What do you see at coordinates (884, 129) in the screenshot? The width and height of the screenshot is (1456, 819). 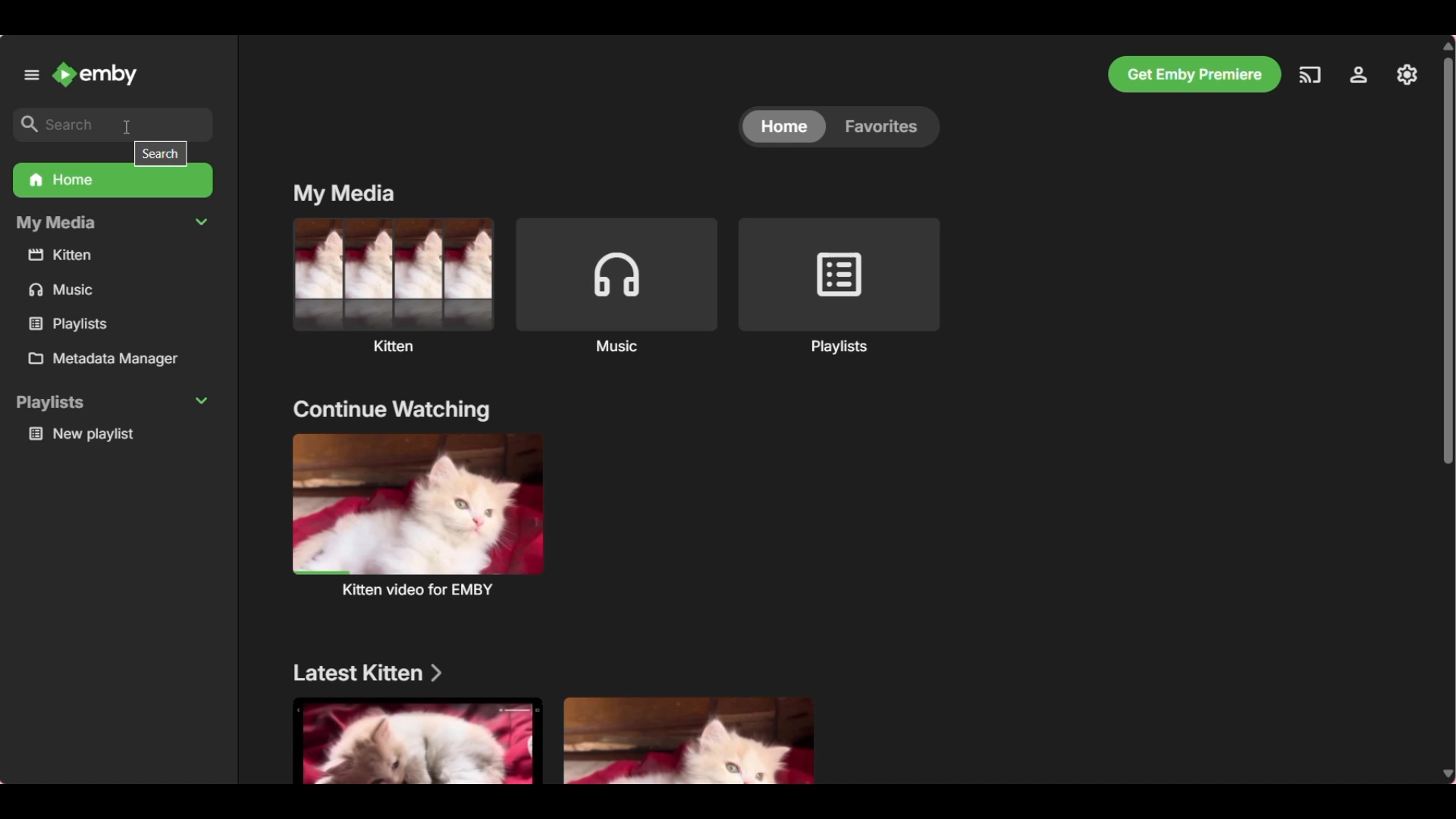 I see `Favorites` at bounding box center [884, 129].